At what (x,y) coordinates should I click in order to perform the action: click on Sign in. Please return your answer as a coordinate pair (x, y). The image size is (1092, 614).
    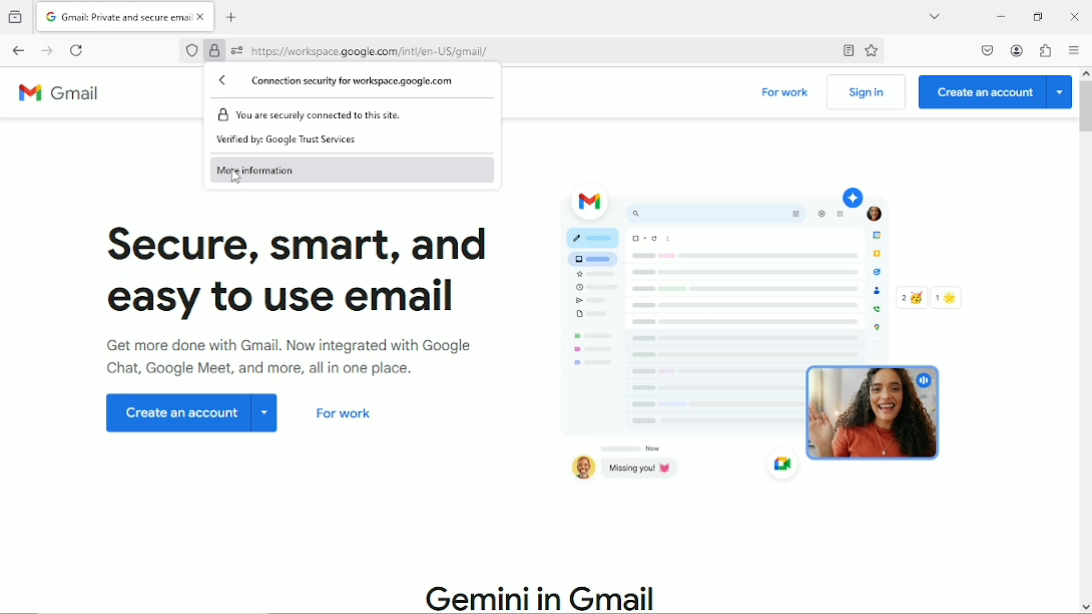
    Looking at the image, I should click on (869, 93).